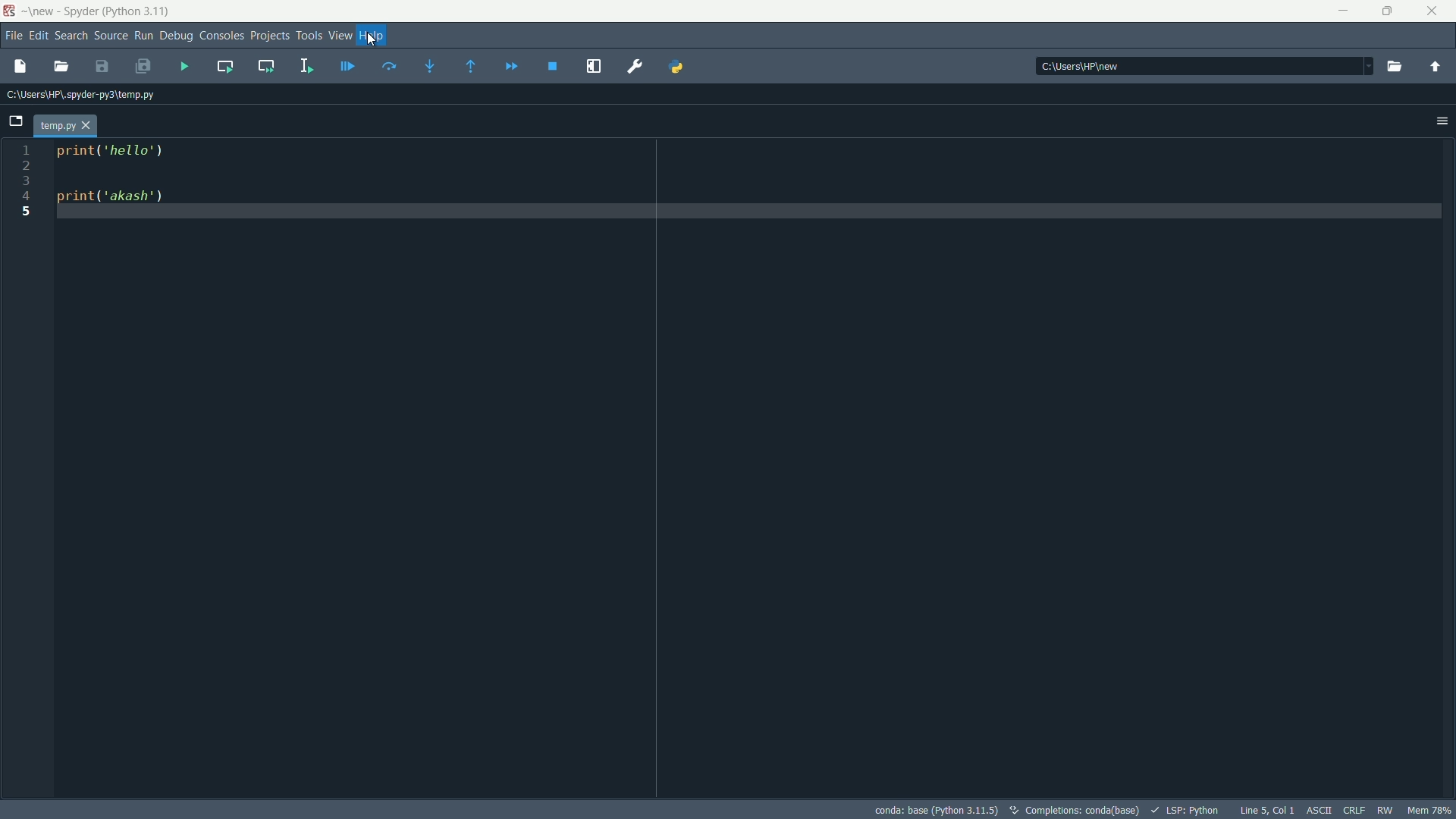  I want to click on run menu, so click(143, 36).